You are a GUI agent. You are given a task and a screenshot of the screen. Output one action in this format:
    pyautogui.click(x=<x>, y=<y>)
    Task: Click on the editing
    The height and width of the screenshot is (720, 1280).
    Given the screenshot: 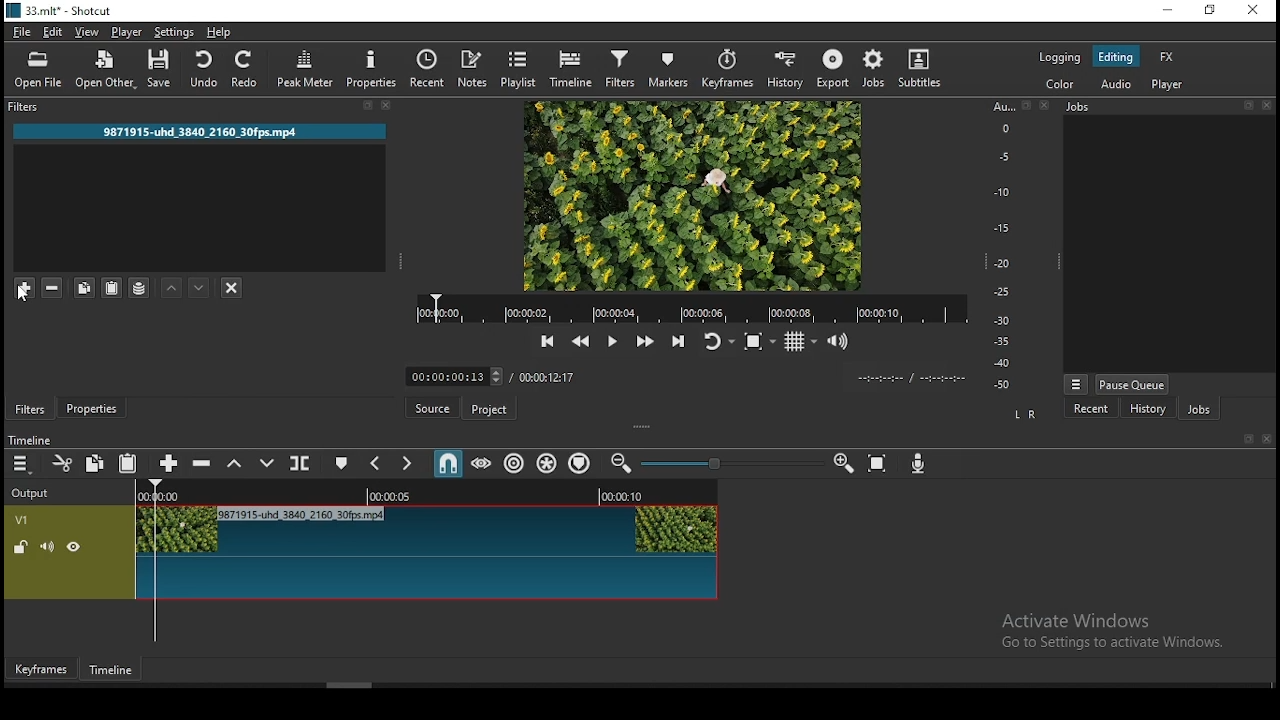 What is the action you would take?
    pyautogui.click(x=1118, y=58)
    